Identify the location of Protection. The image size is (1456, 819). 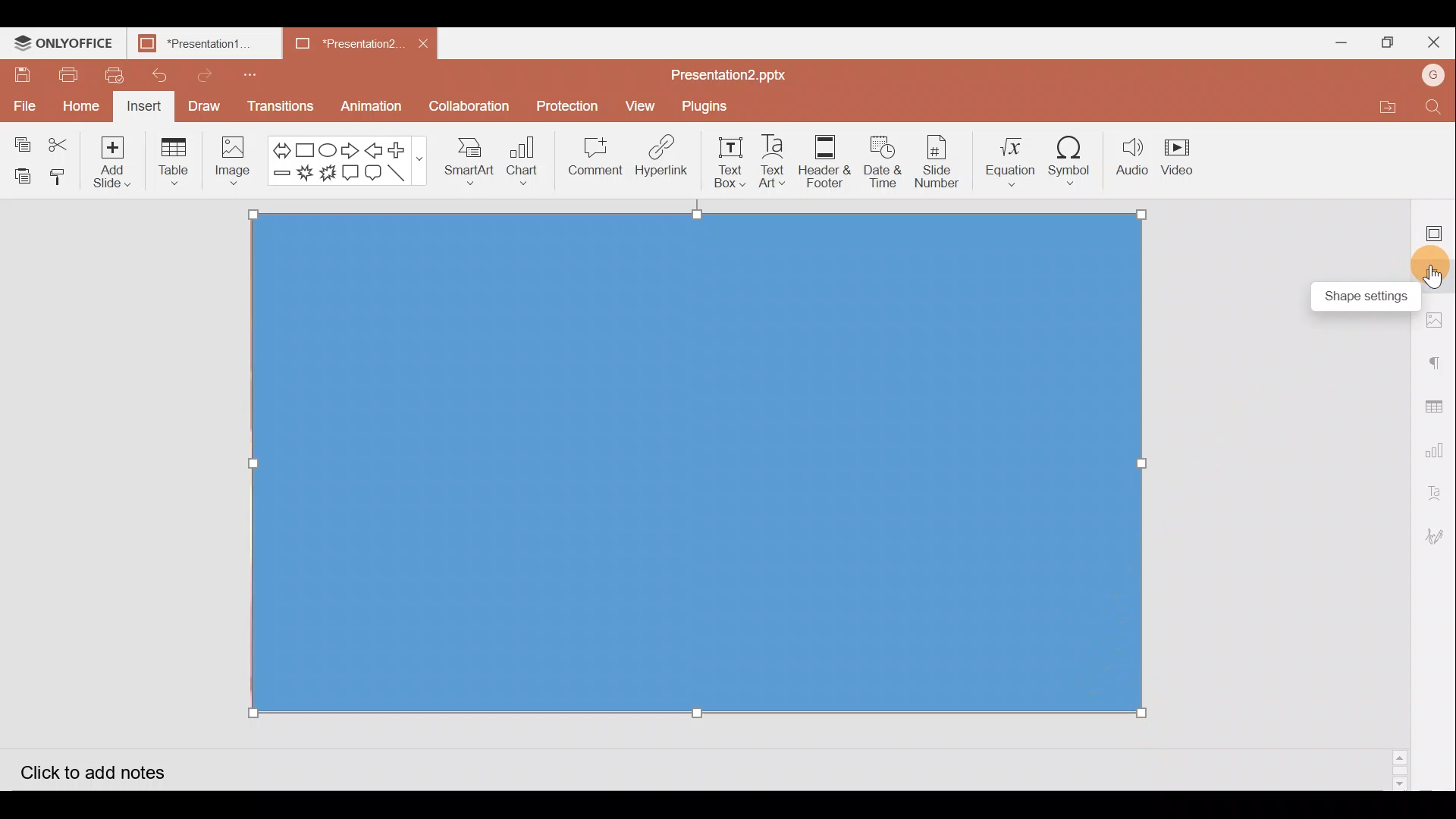
(563, 105).